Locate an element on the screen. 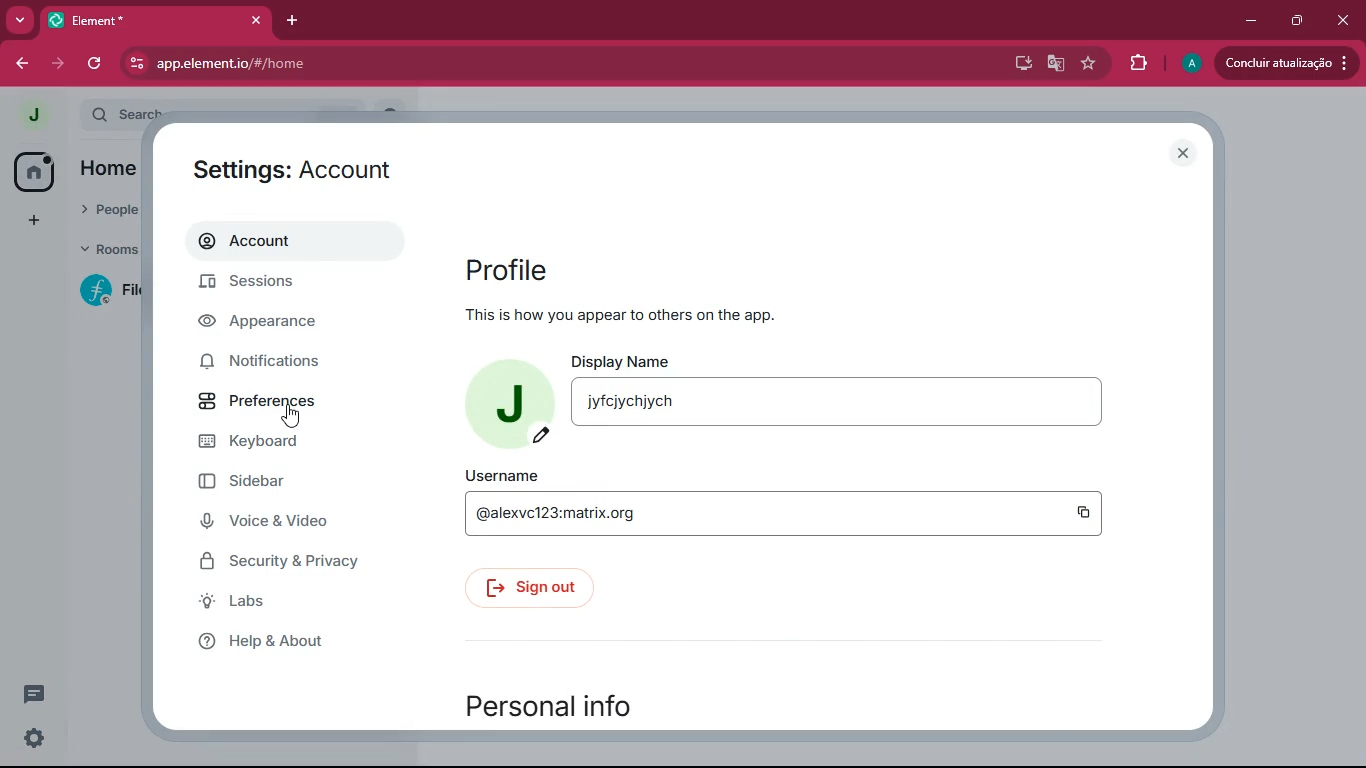 The height and width of the screenshot is (768, 1366). home is located at coordinates (35, 173).